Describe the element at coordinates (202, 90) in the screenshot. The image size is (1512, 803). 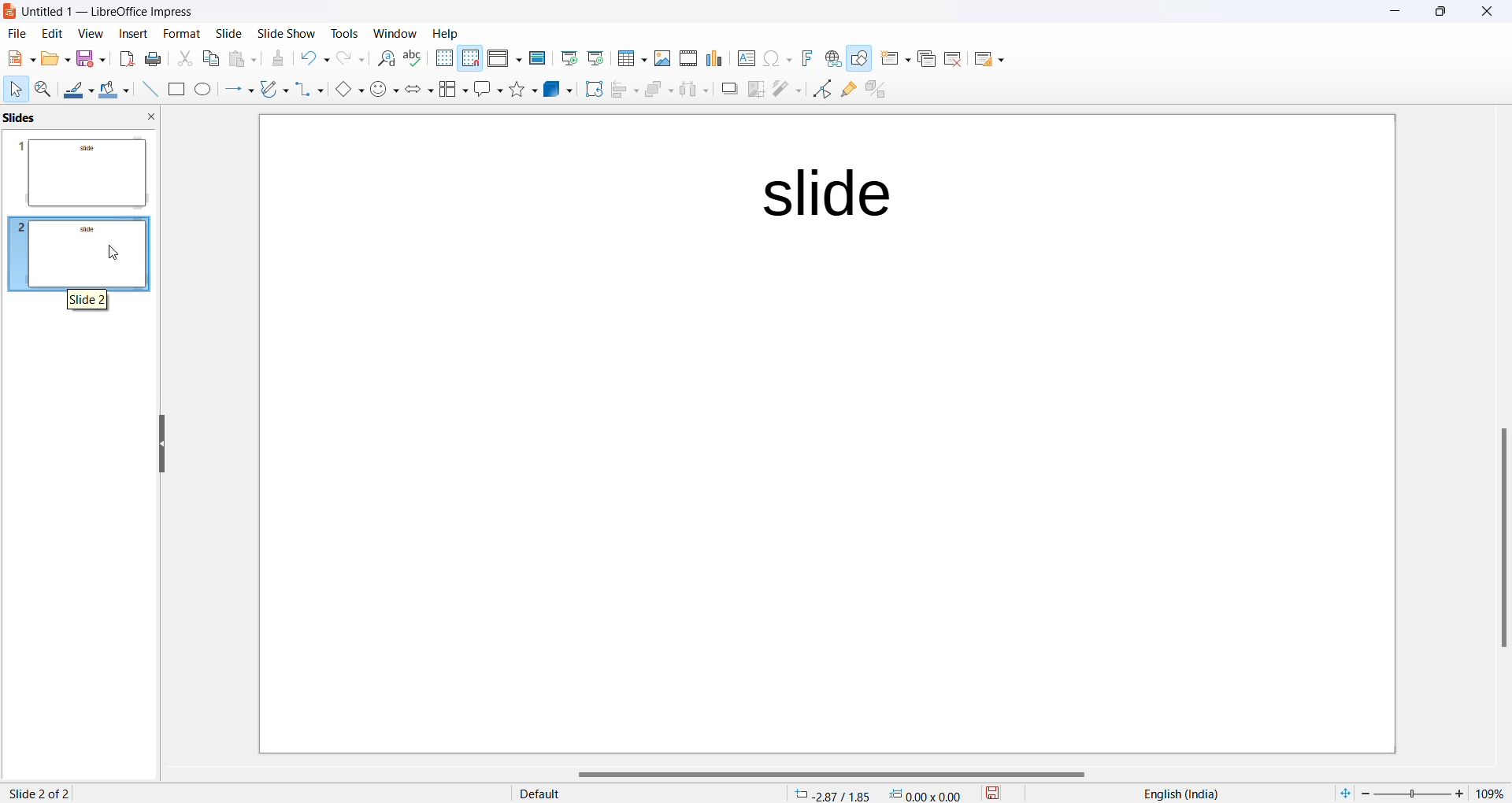
I see `Ellipse` at that location.